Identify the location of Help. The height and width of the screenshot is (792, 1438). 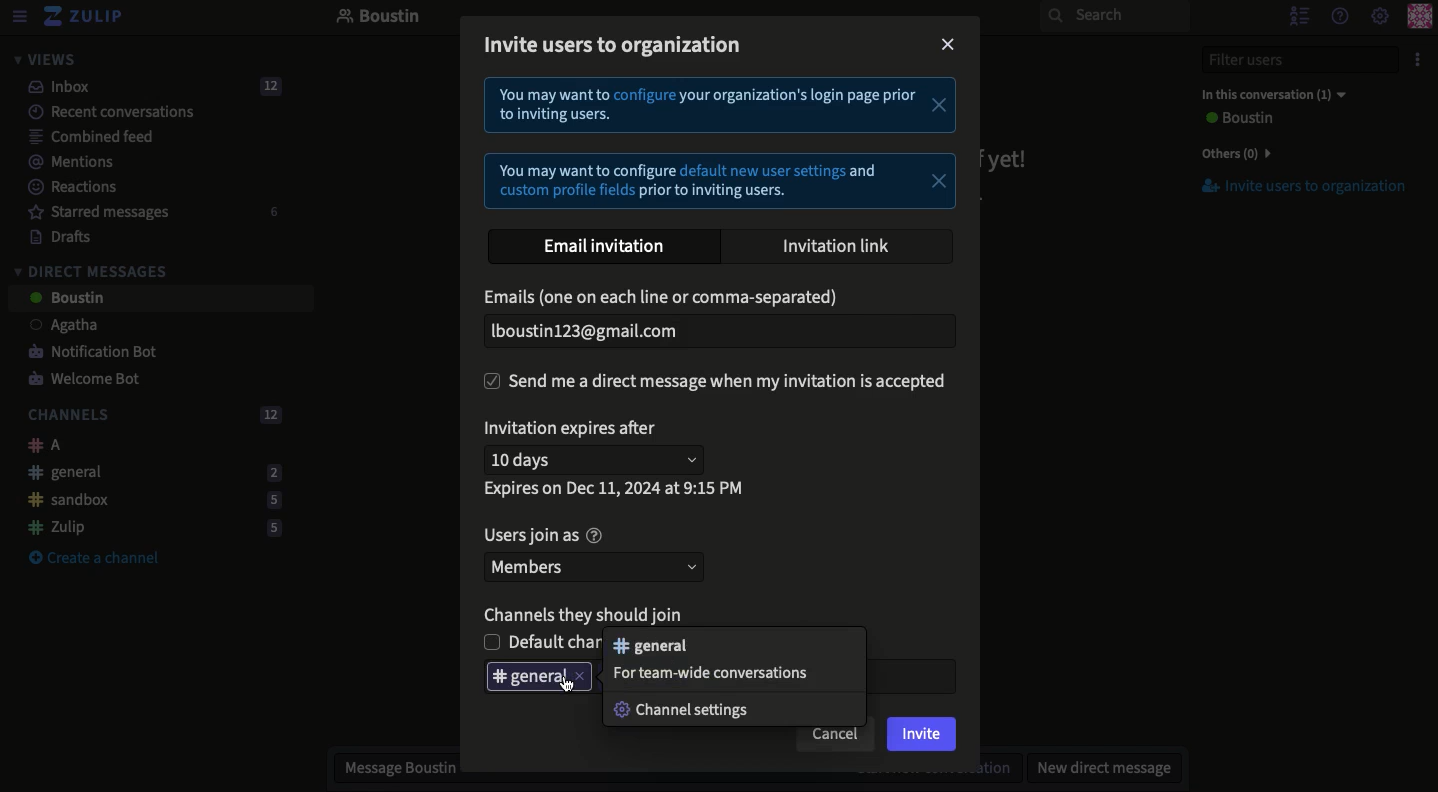
(1338, 15).